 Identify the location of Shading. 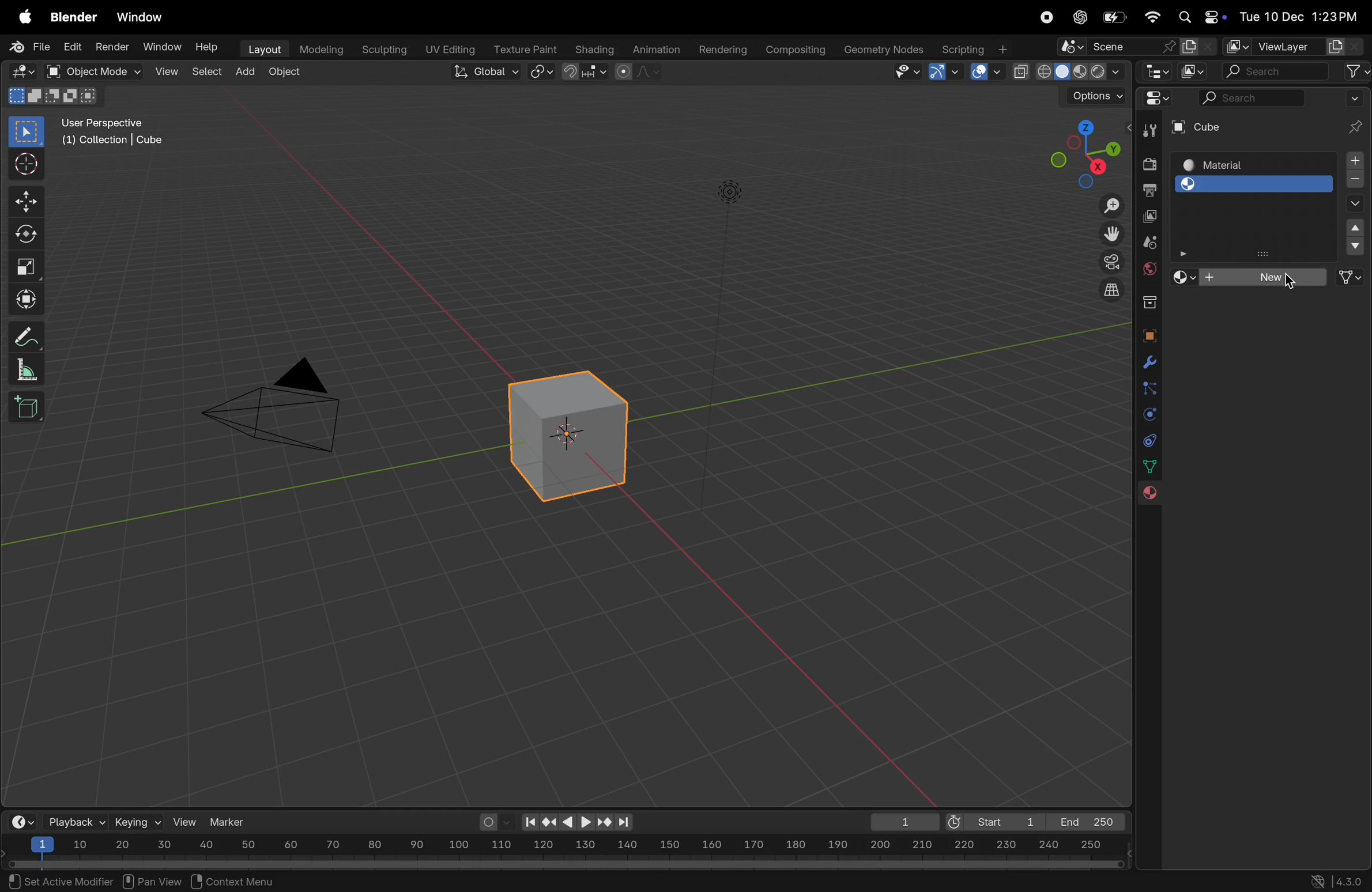
(594, 49).